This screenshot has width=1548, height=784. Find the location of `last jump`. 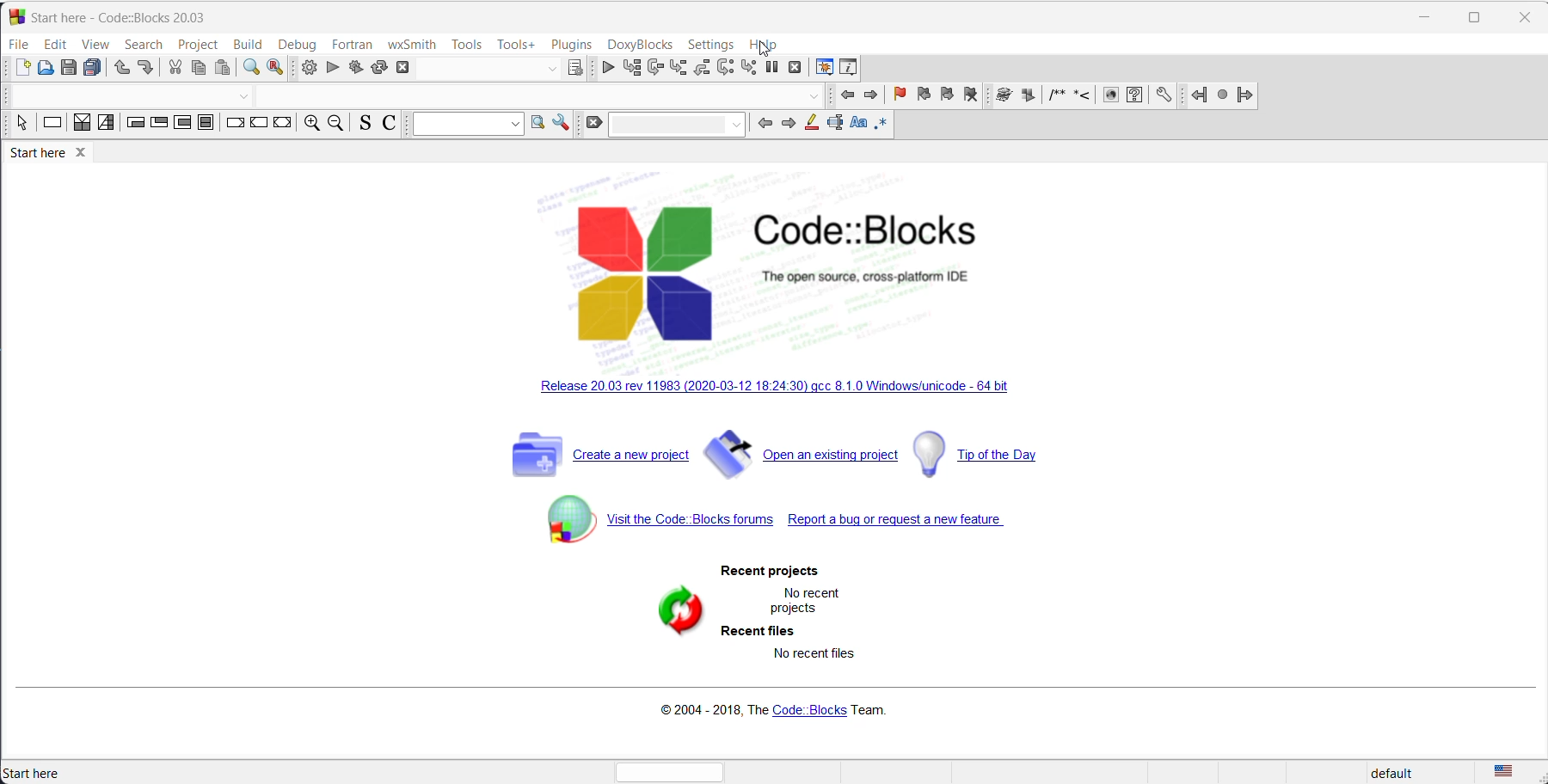

last jump is located at coordinates (1221, 94).